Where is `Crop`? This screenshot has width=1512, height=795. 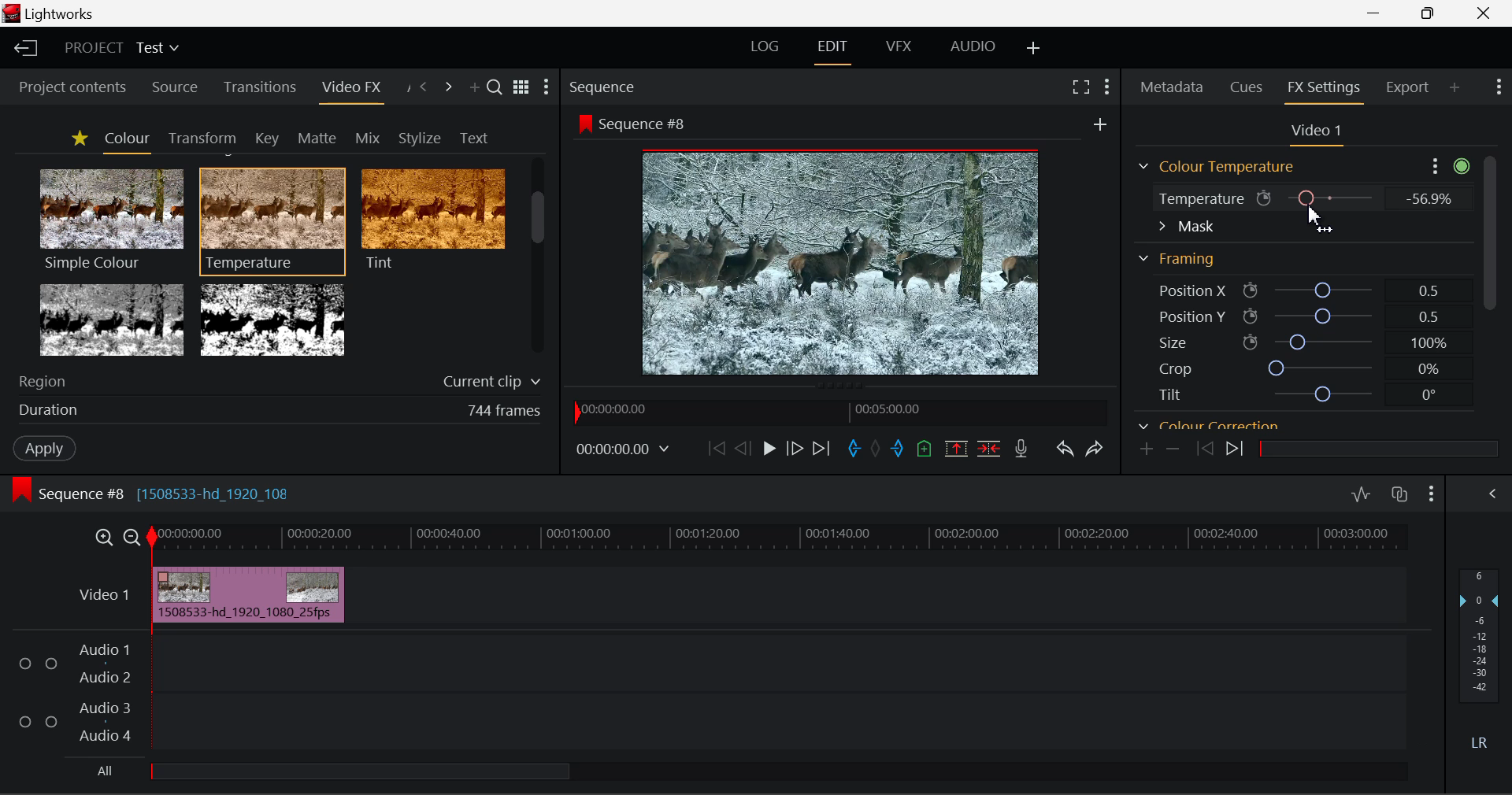
Crop is located at coordinates (1175, 368).